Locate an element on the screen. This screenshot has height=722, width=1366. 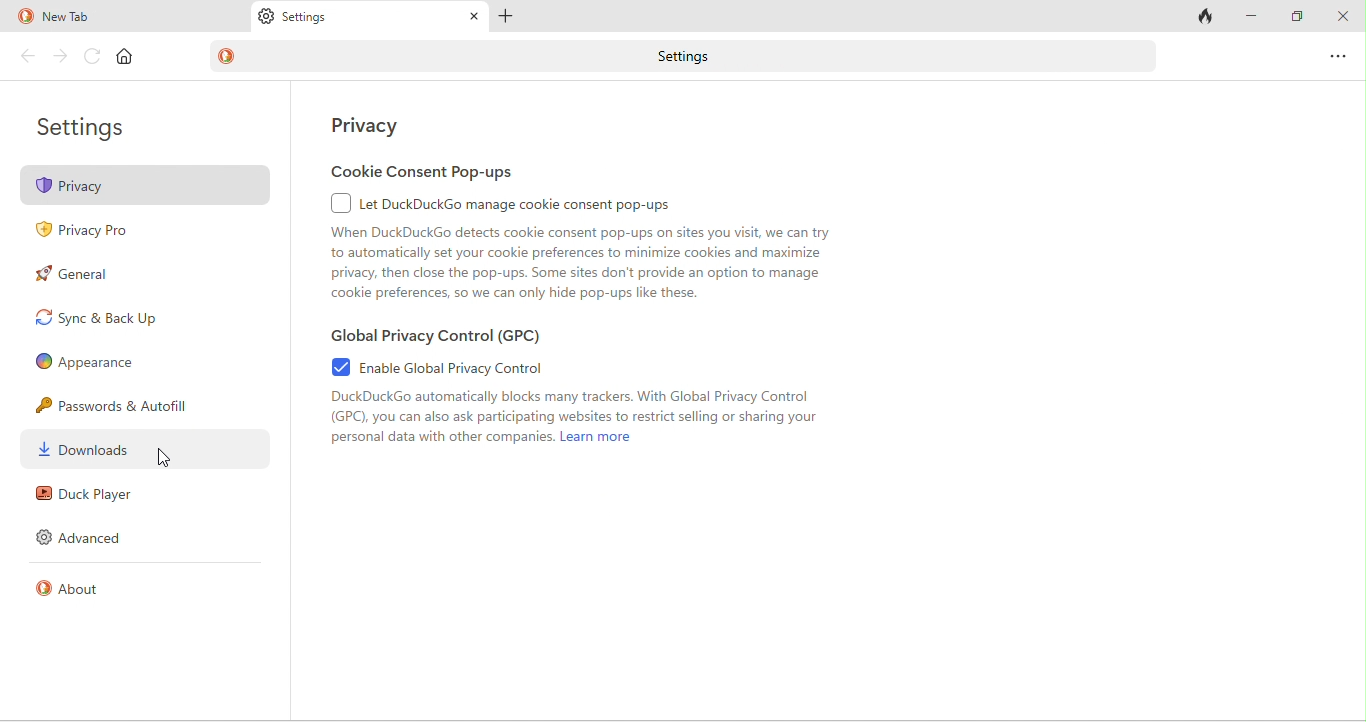
plus tab is located at coordinates (504, 14).